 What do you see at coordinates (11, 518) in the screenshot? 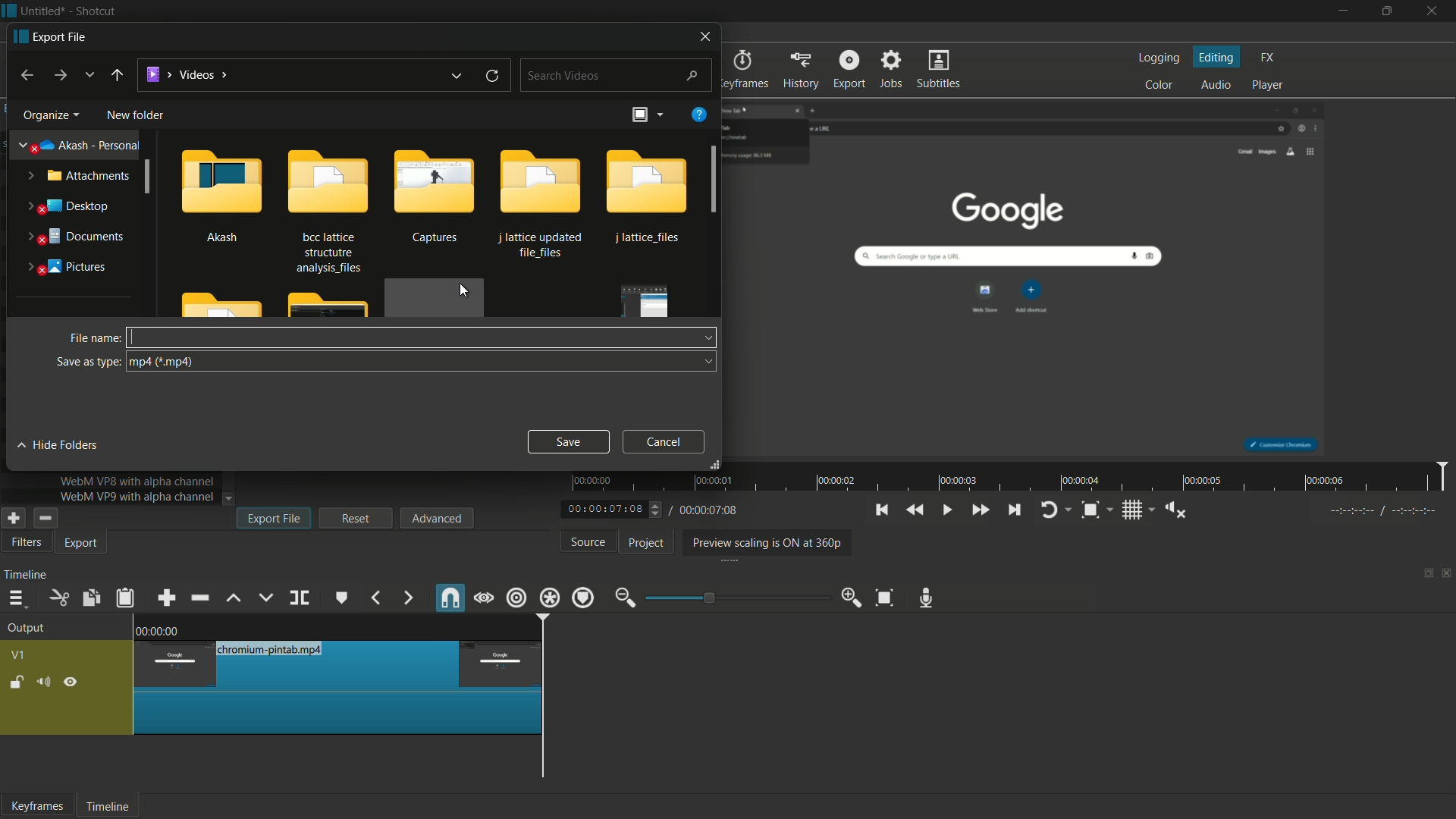
I see `add` at bounding box center [11, 518].